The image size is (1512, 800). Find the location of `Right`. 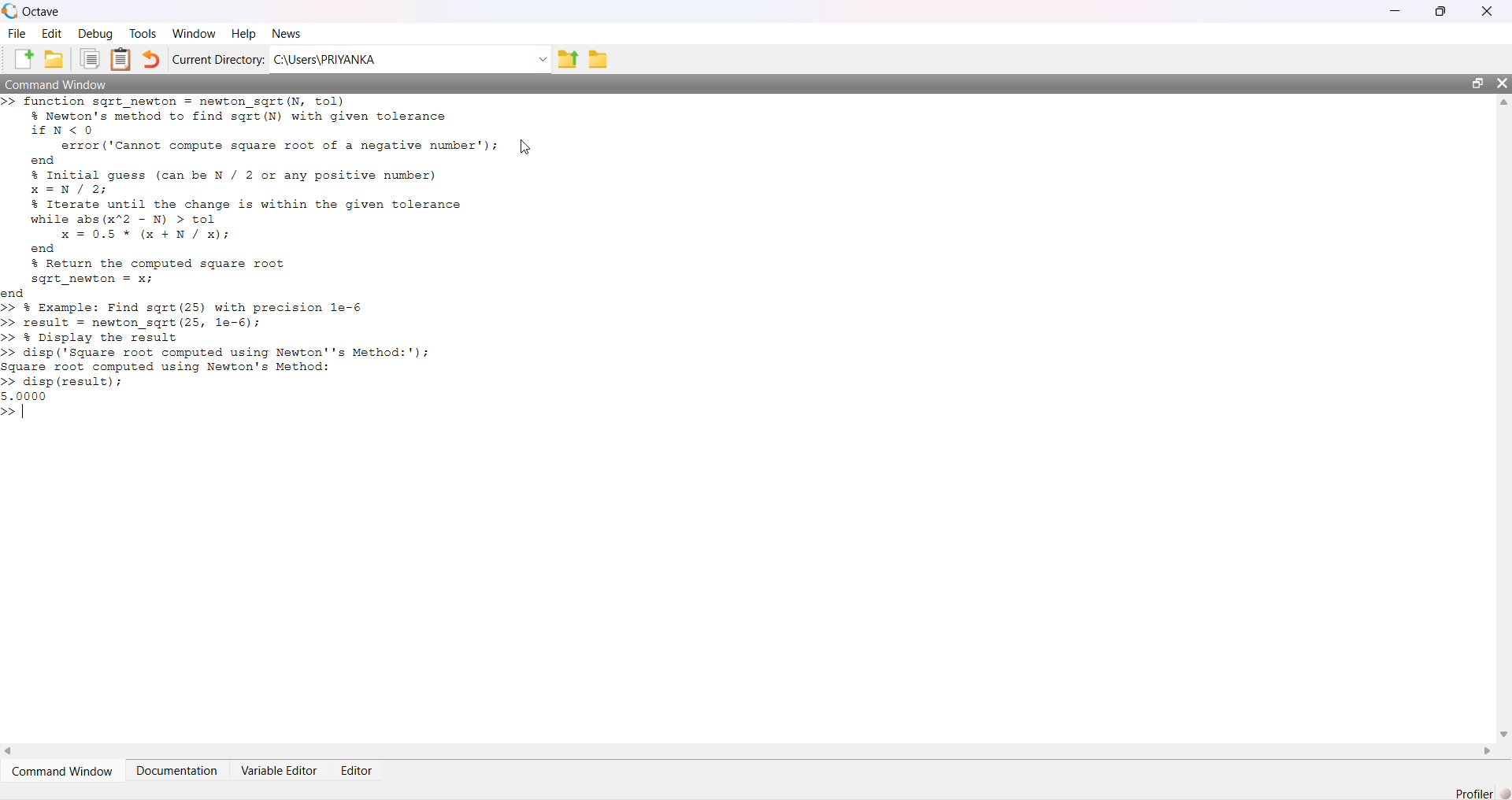

Right is located at coordinates (1490, 750).